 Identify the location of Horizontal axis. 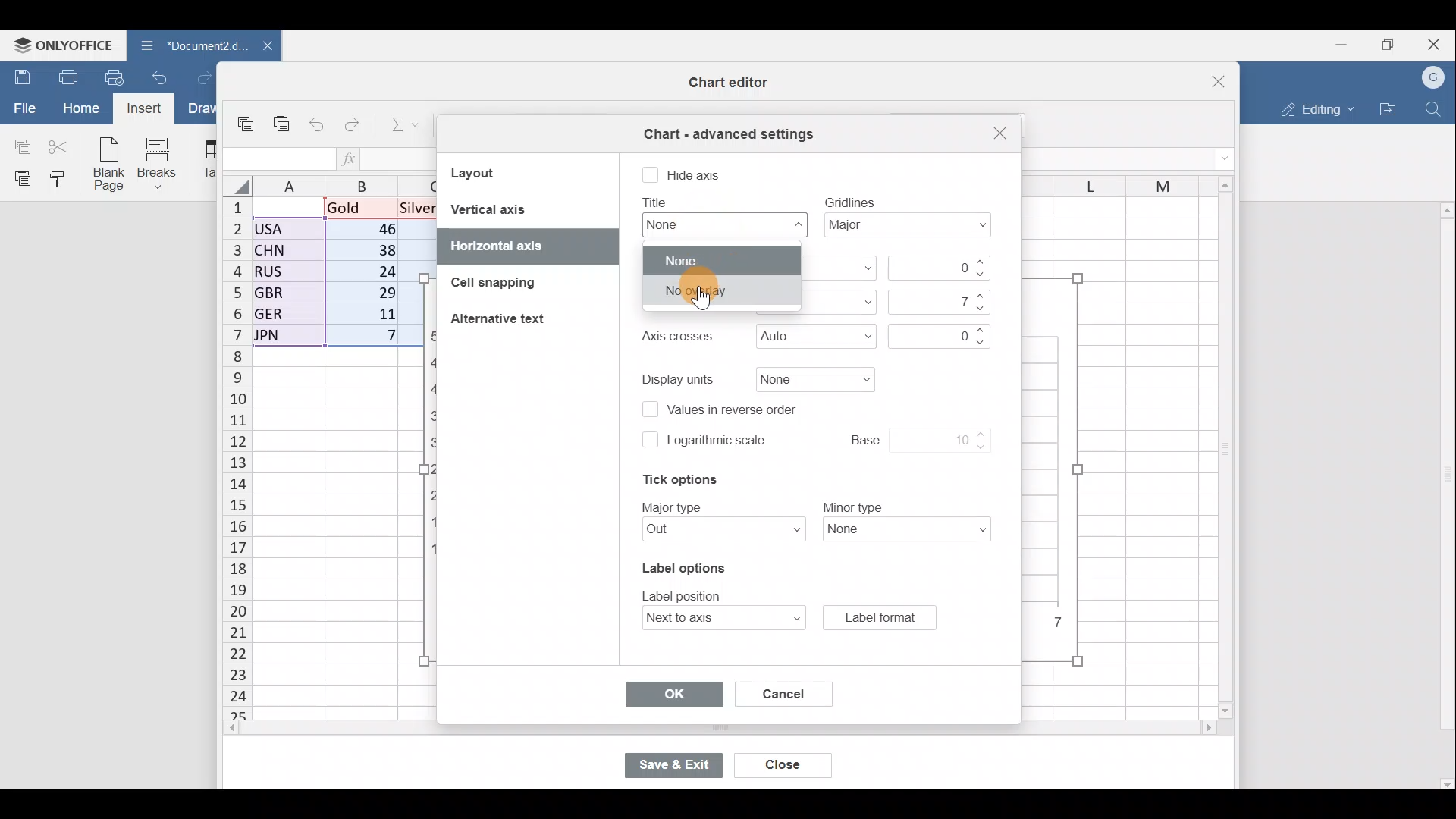
(504, 243).